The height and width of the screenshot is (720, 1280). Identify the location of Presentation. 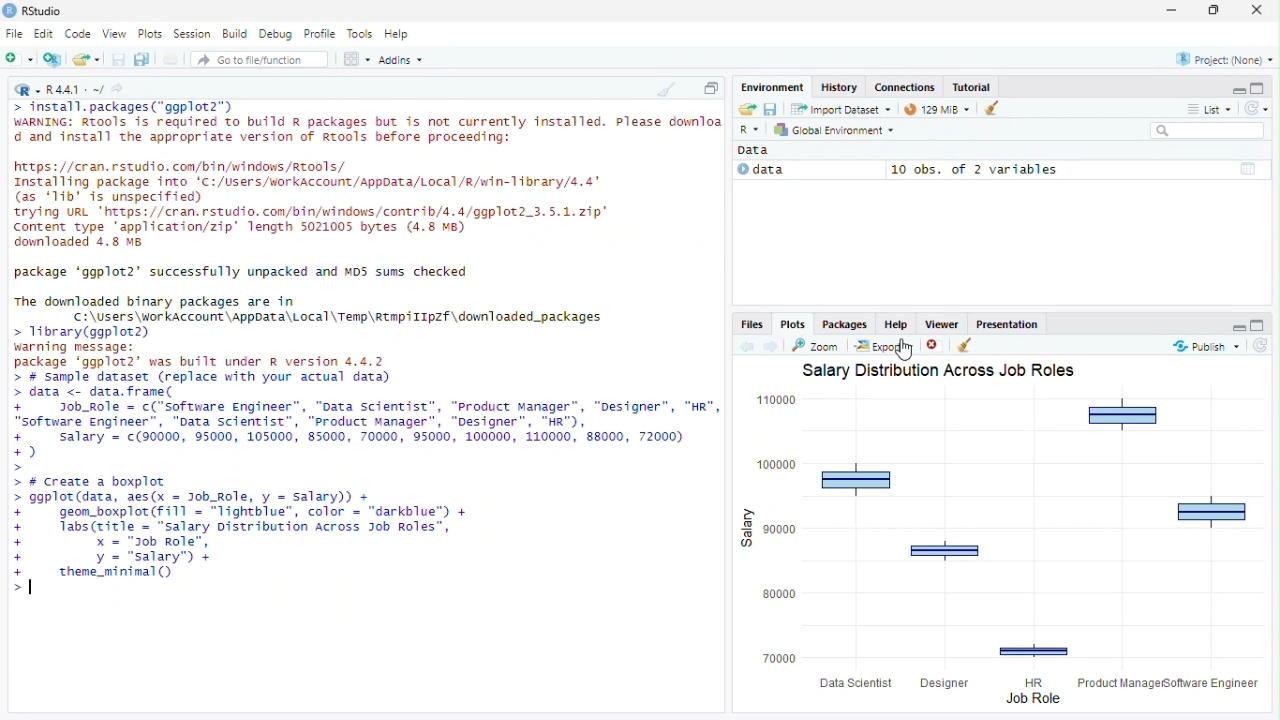
(1007, 323).